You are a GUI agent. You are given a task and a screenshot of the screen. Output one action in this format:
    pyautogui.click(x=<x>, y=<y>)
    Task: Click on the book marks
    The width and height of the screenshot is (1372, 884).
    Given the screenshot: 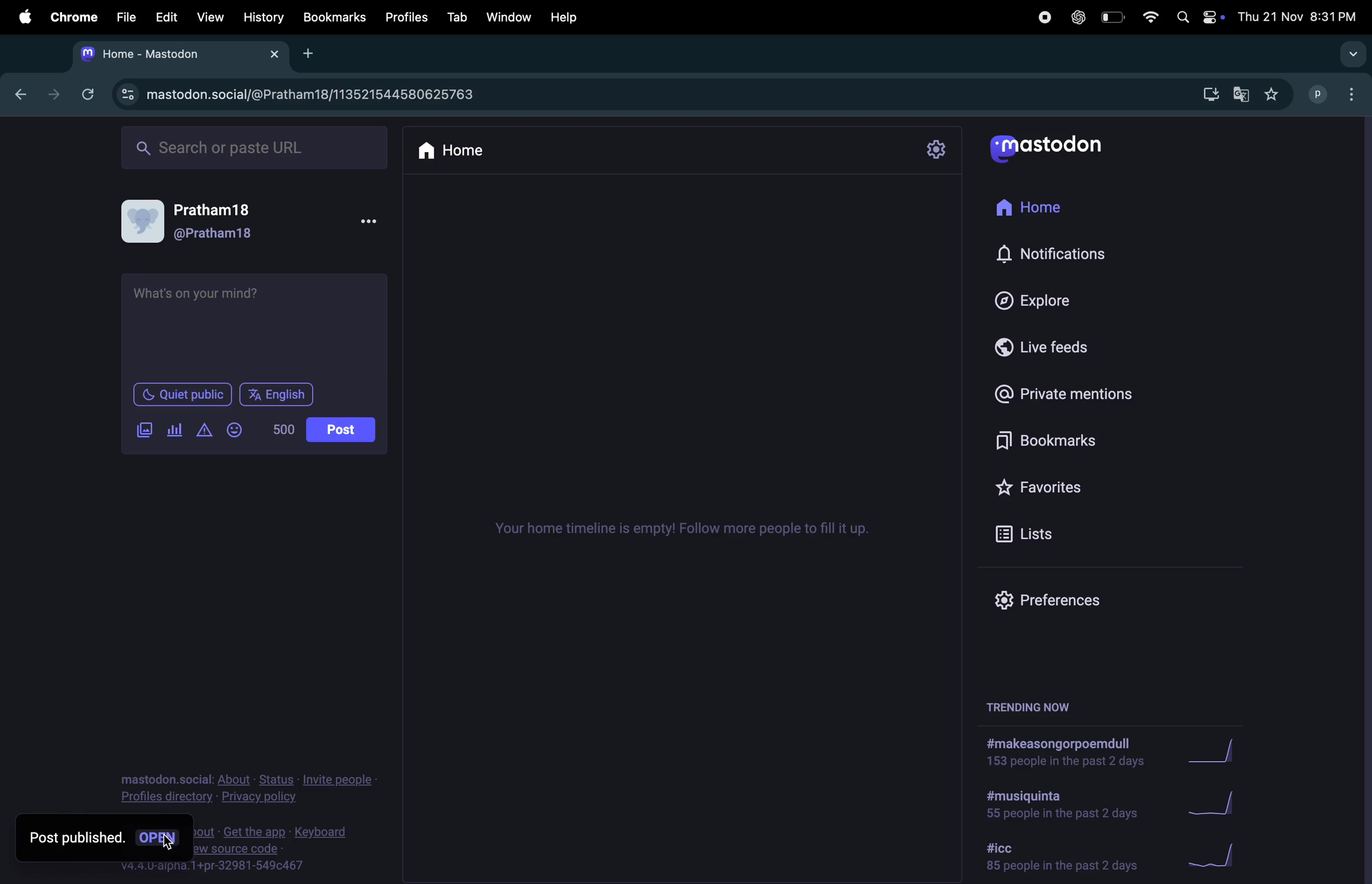 What is the action you would take?
    pyautogui.click(x=333, y=15)
    